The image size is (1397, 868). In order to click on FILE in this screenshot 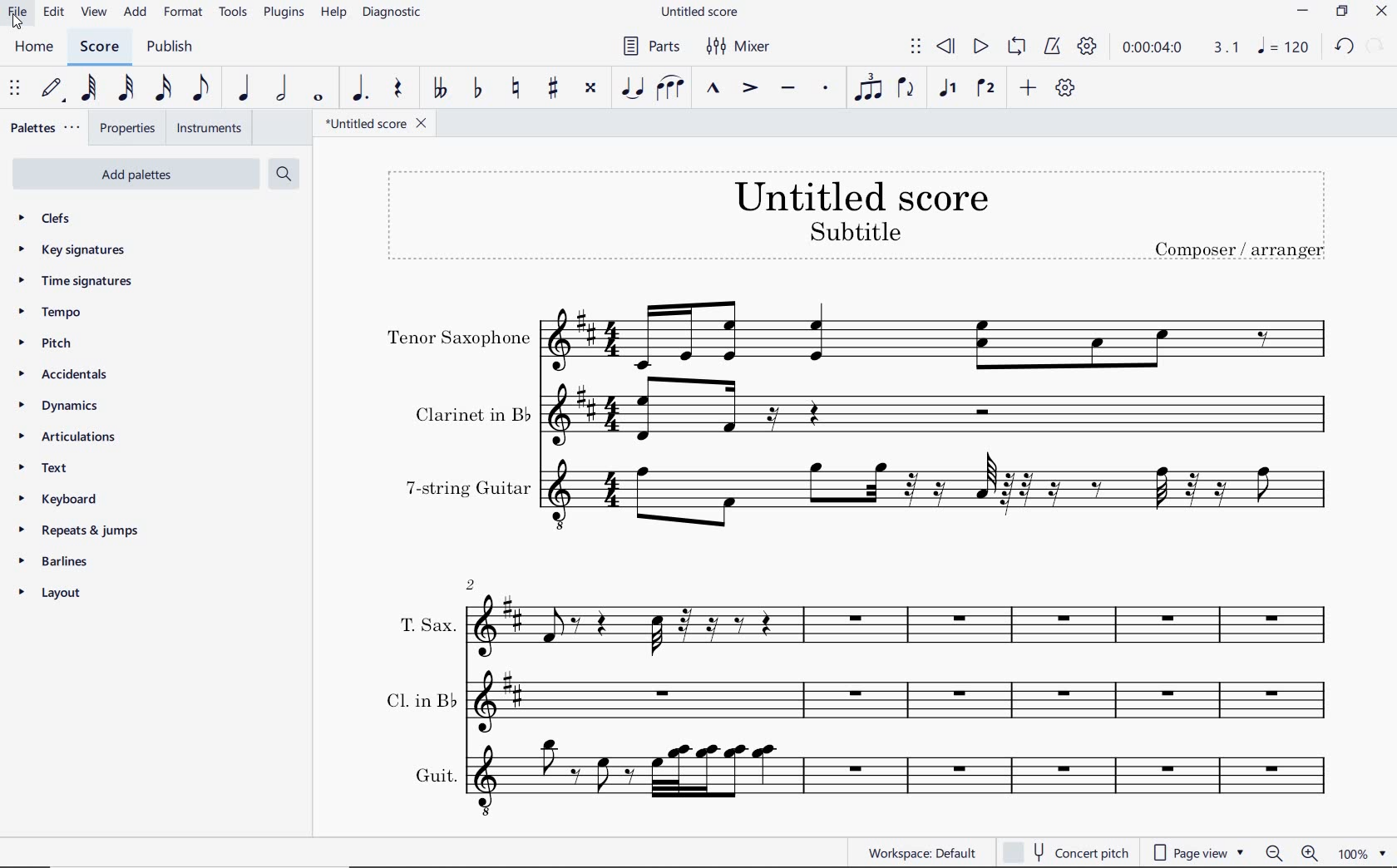, I will do `click(17, 13)`.